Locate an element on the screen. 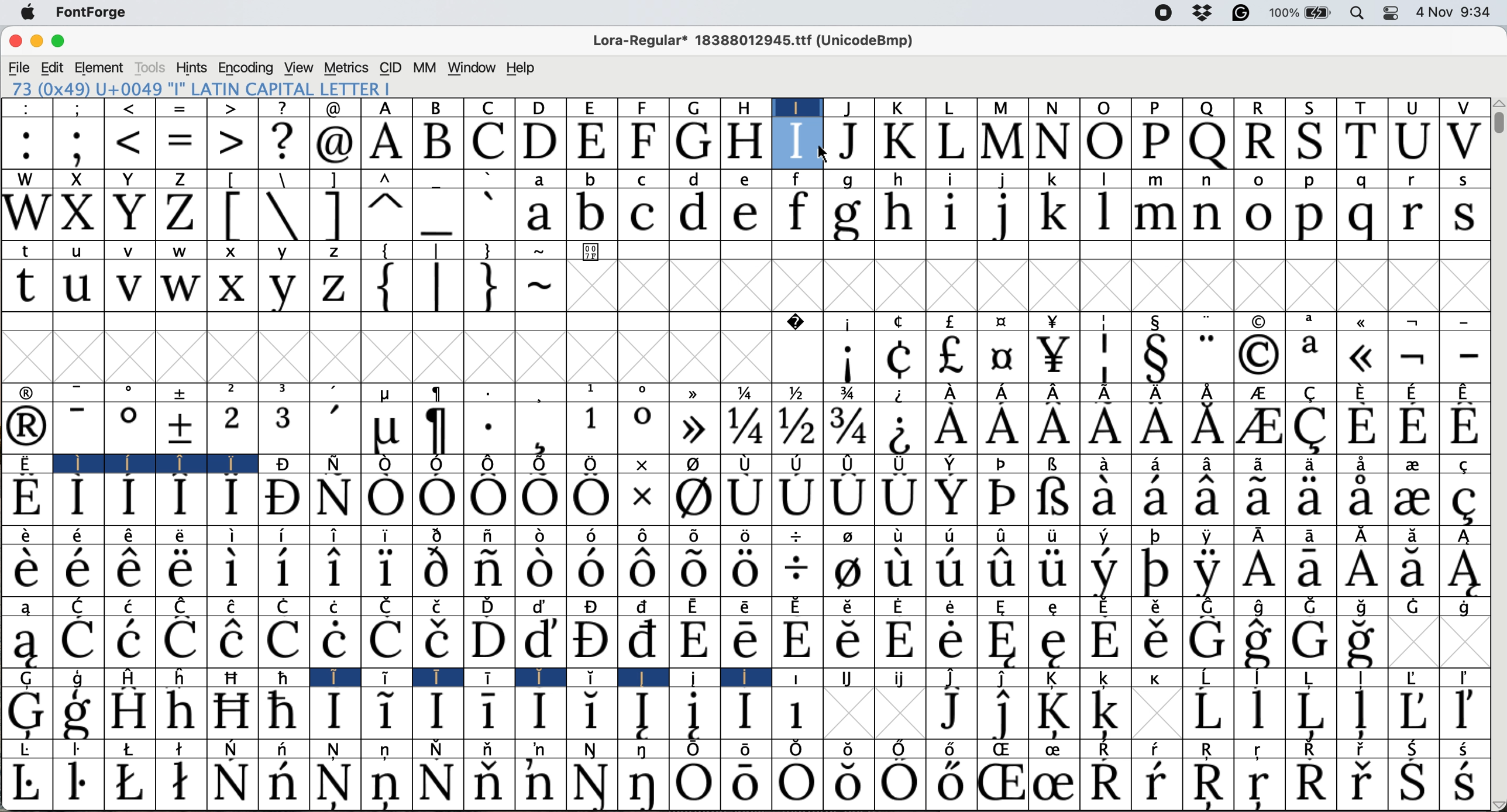  Symbol is located at coordinates (748, 712).